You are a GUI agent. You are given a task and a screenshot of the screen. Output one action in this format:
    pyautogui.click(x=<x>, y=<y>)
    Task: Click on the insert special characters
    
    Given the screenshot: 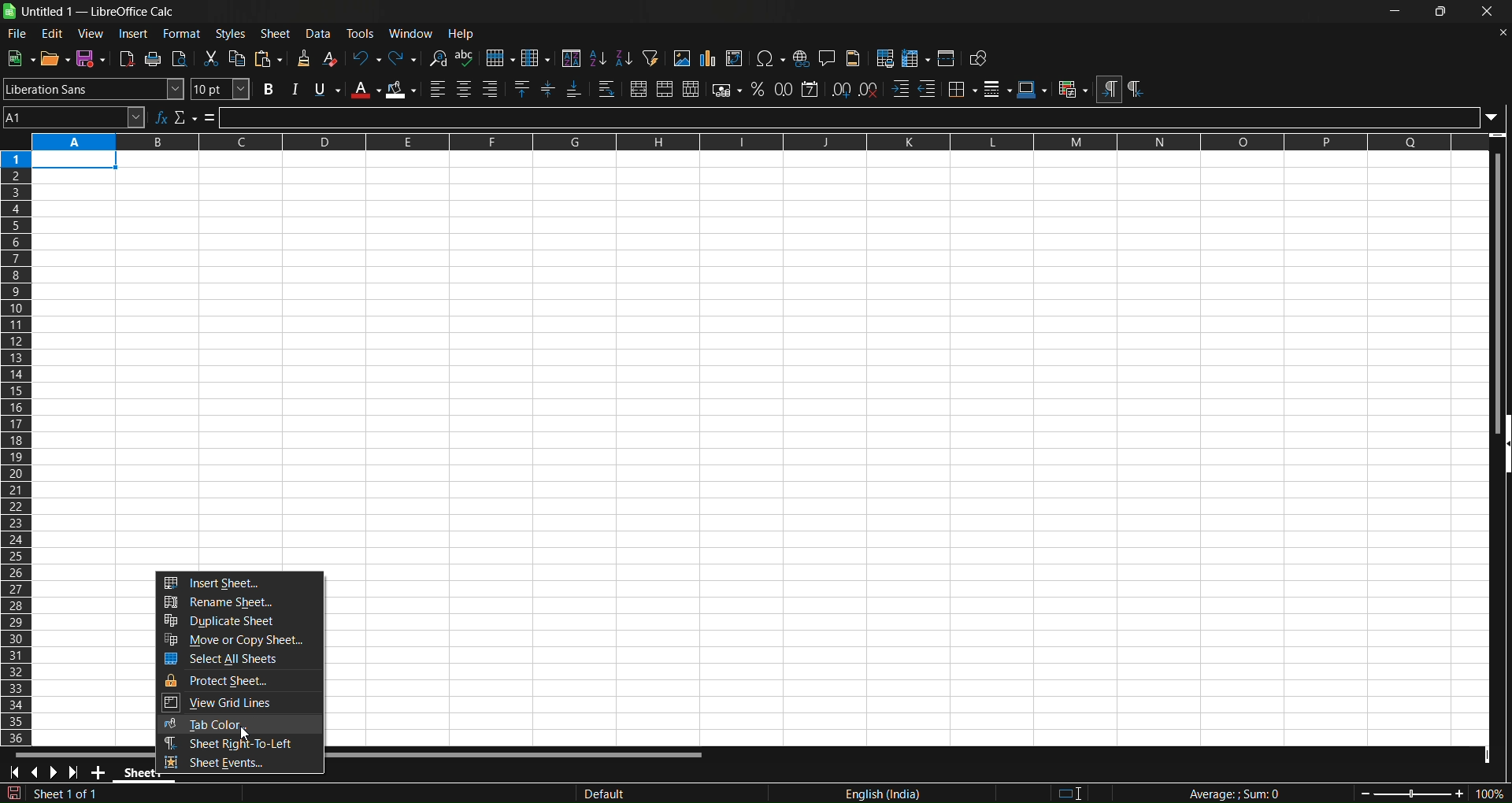 What is the action you would take?
    pyautogui.click(x=770, y=59)
    